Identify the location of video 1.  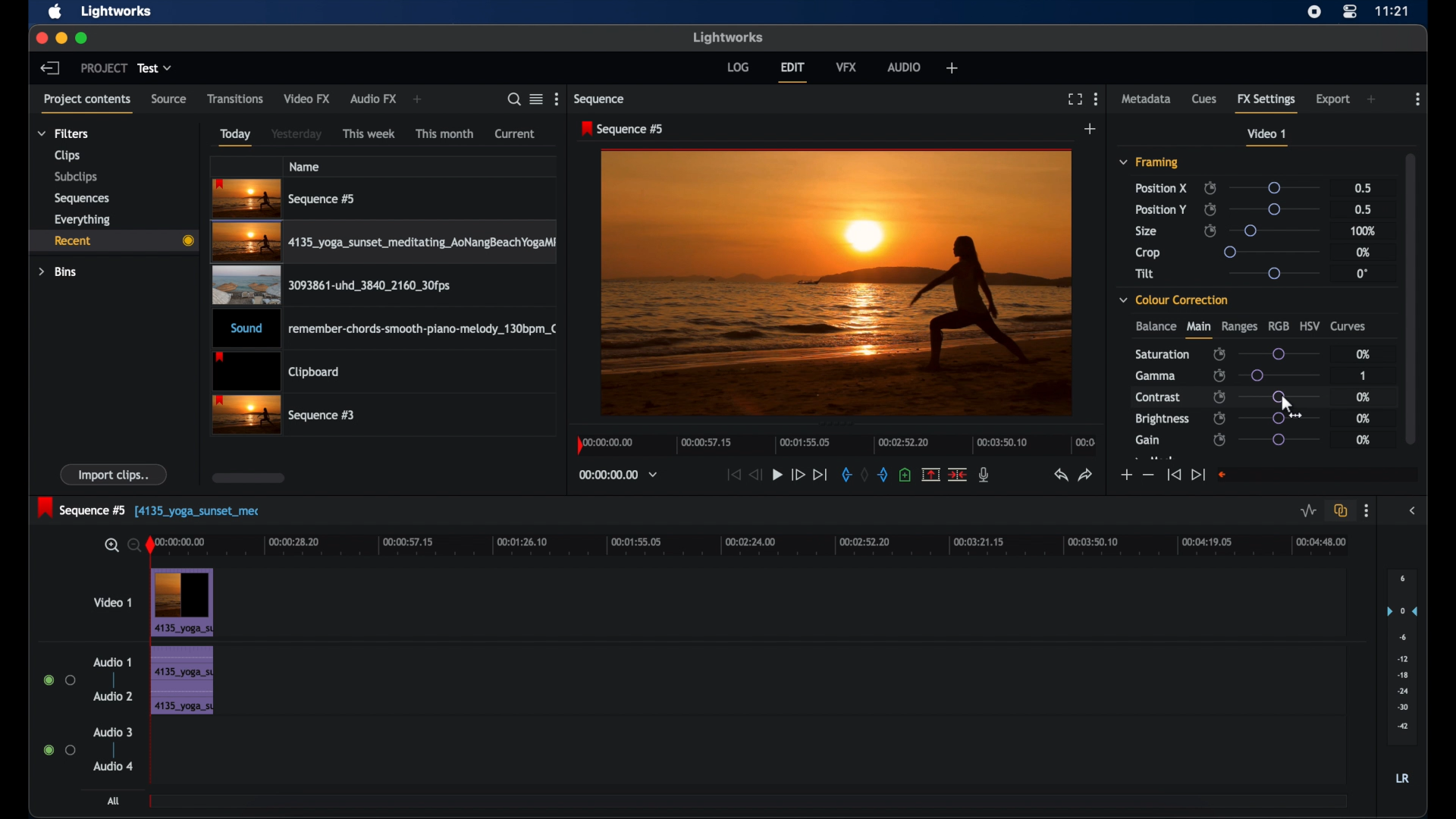
(114, 602).